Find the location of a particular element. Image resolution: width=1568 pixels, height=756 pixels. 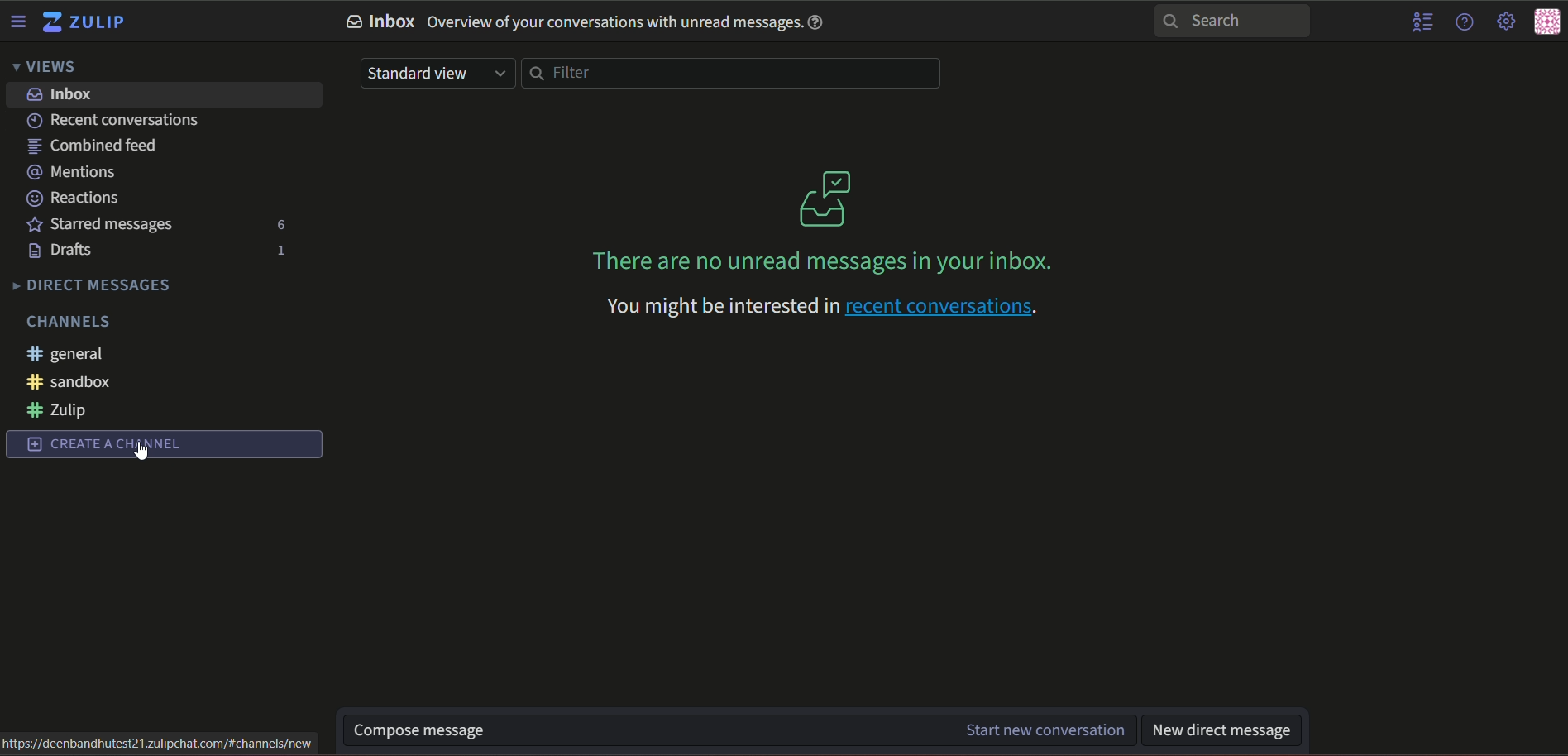

filter is located at coordinates (732, 74).